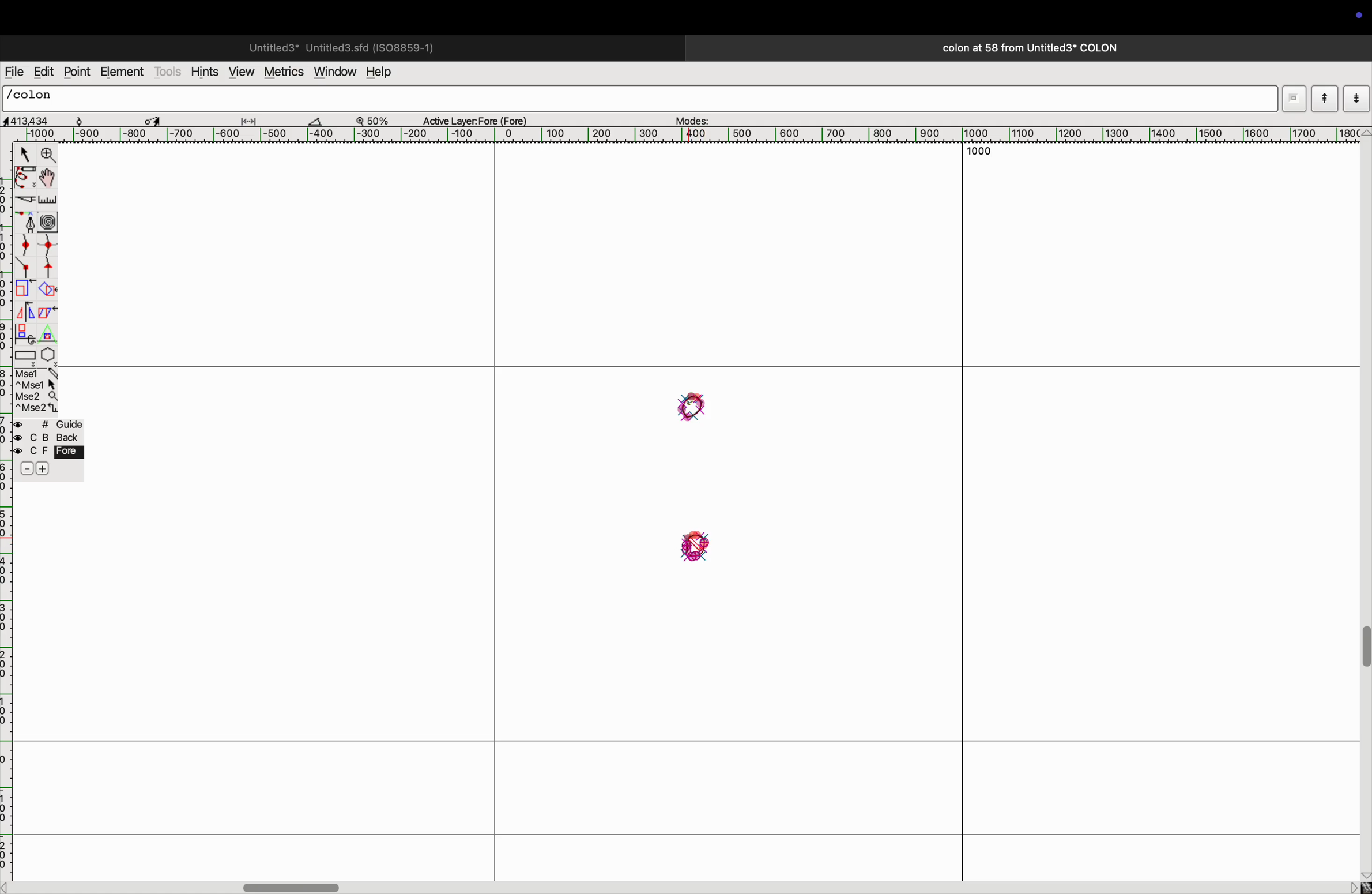 The height and width of the screenshot is (894, 1372). What do you see at coordinates (79, 73) in the screenshot?
I see `point` at bounding box center [79, 73].